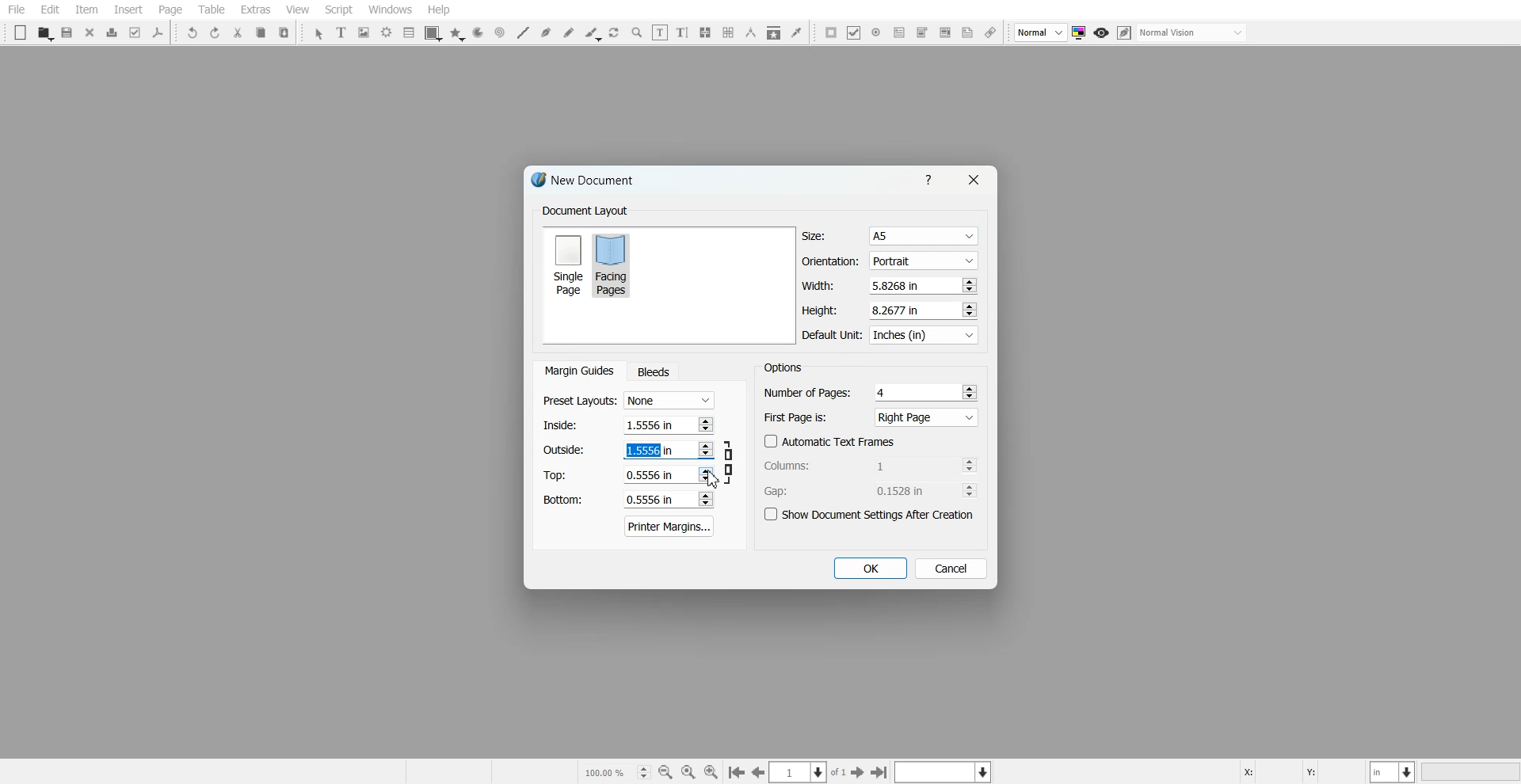 The height and width of the screenshot is (784, 1521). I want to click on Increase and decrease No. , so click(968, 285).